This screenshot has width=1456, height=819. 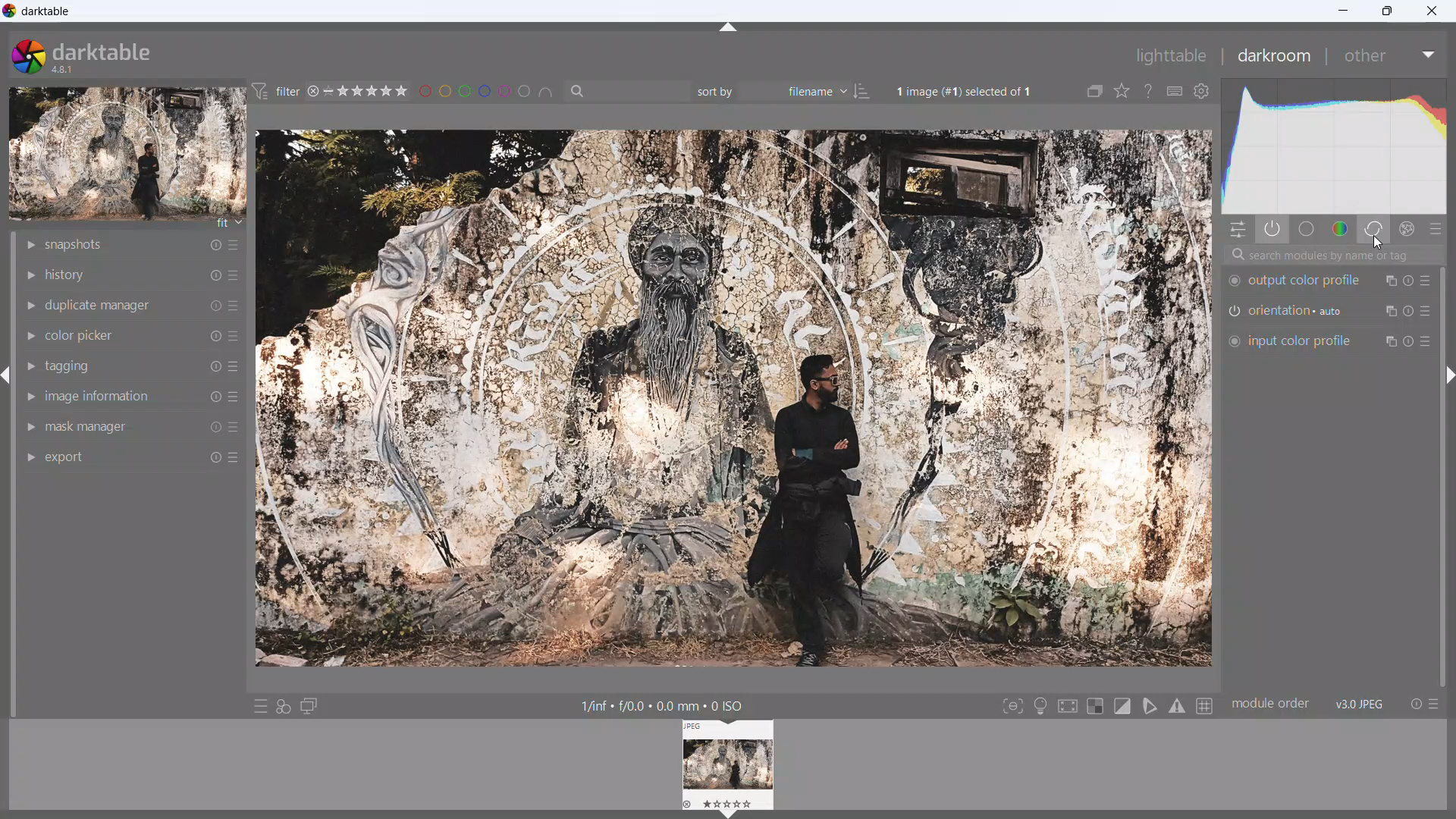 I want to click on scrollbar, so click(x=15, y=472).